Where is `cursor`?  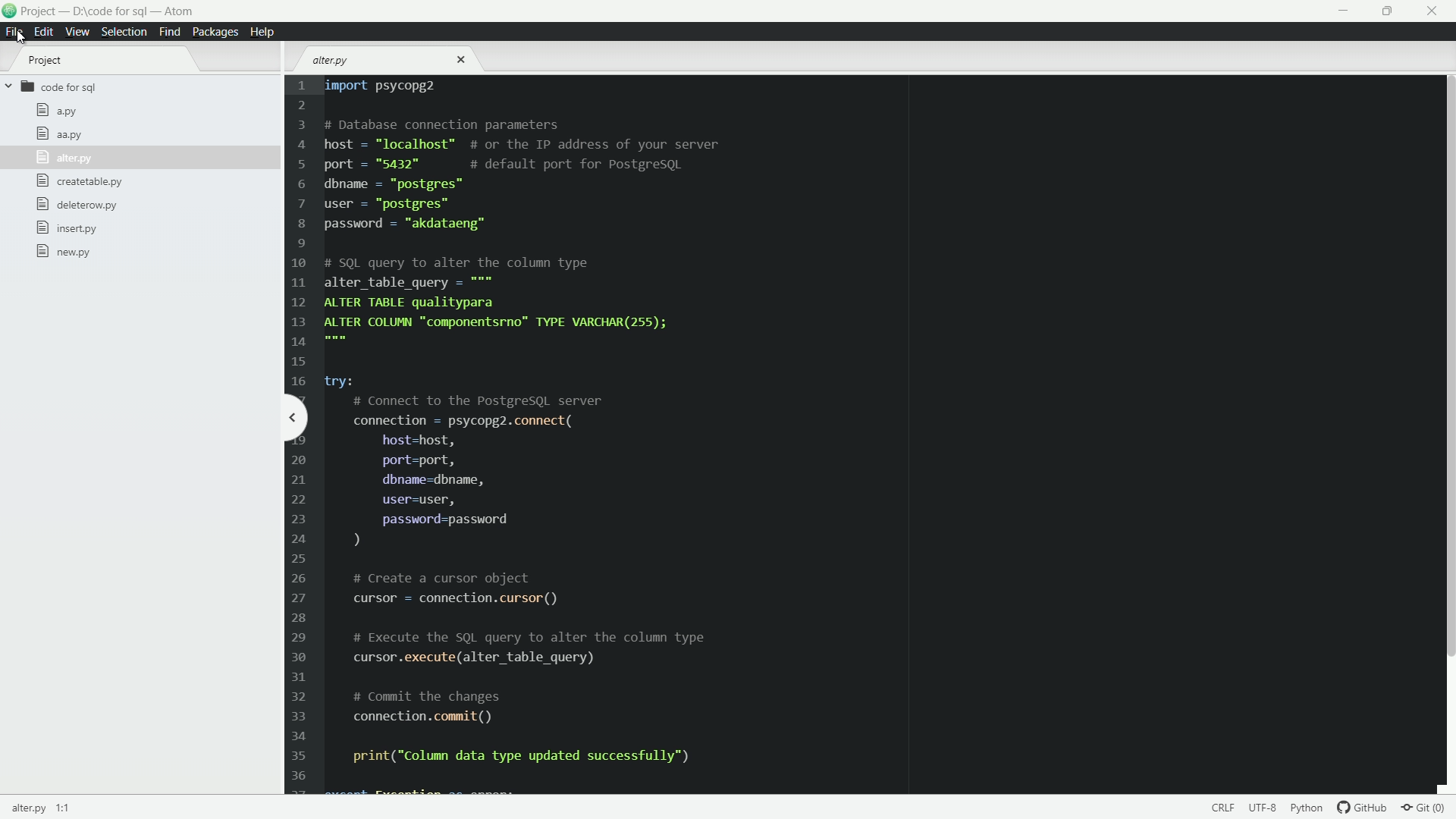
cursor is located at coordinates (20, 36).